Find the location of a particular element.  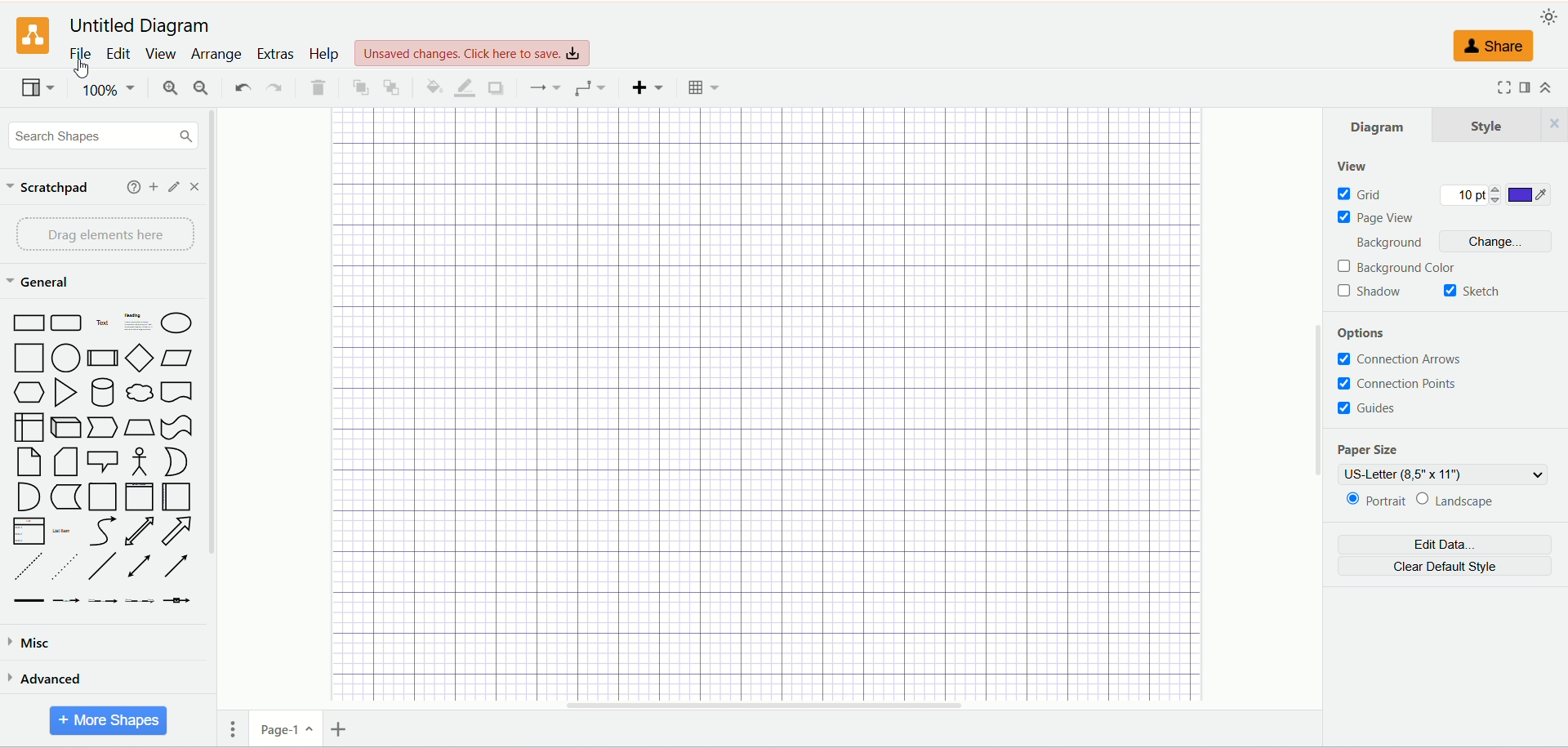

paper size is located at coordinates (1366, 451).